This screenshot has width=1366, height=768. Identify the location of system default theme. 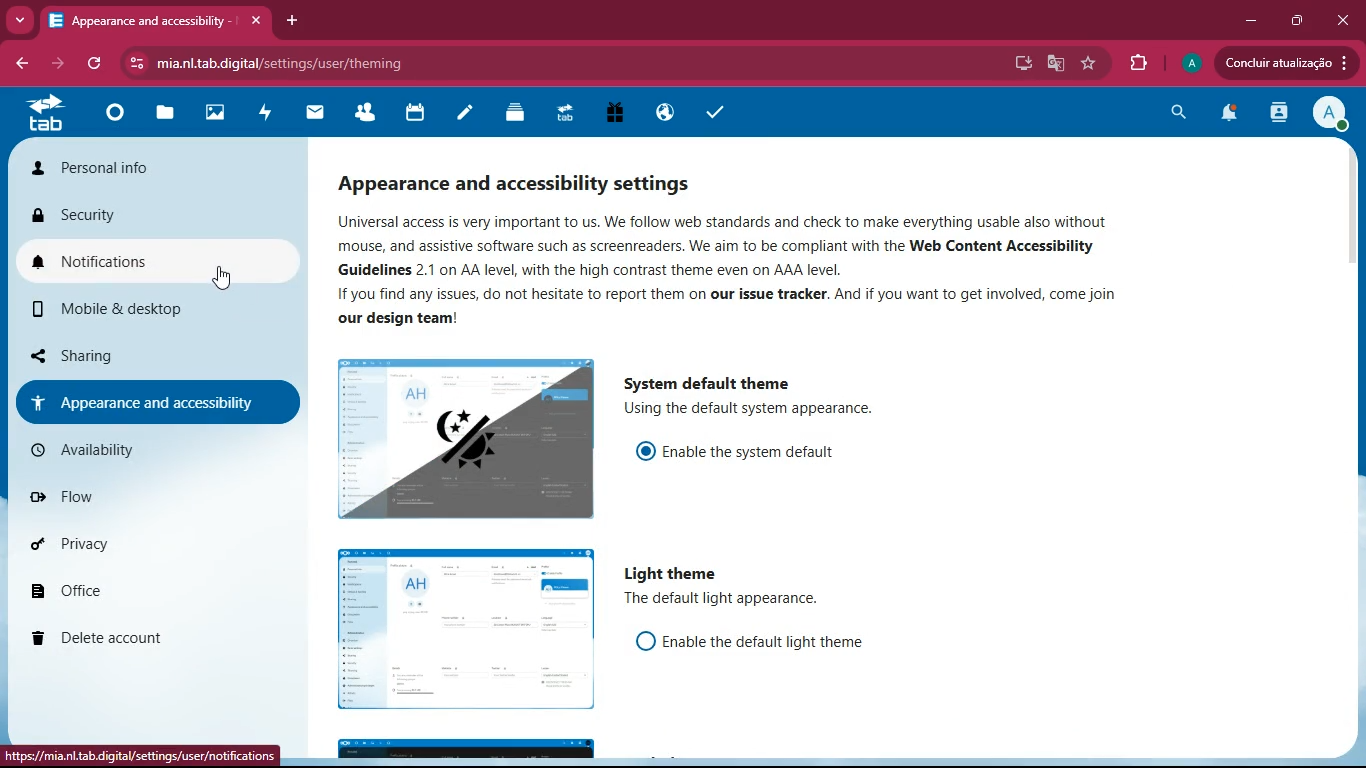
(715, 381).